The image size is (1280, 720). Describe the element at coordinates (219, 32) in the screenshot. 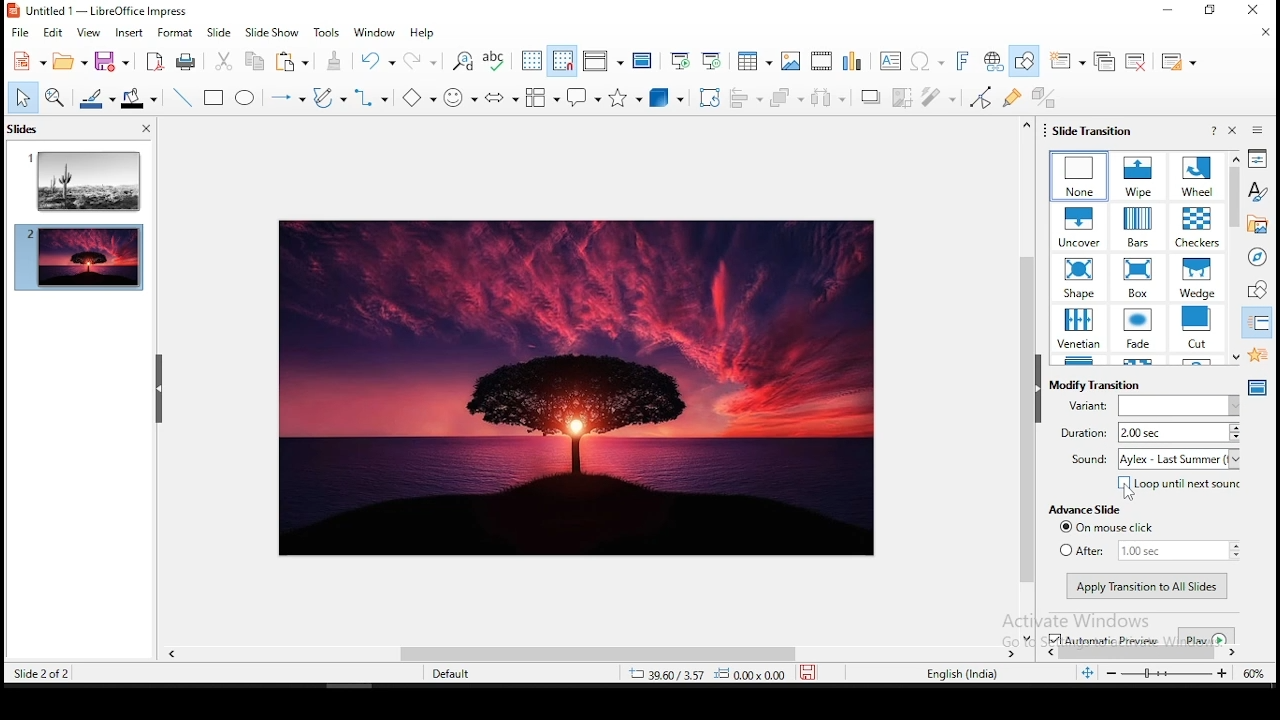

I see `slide` at that location.